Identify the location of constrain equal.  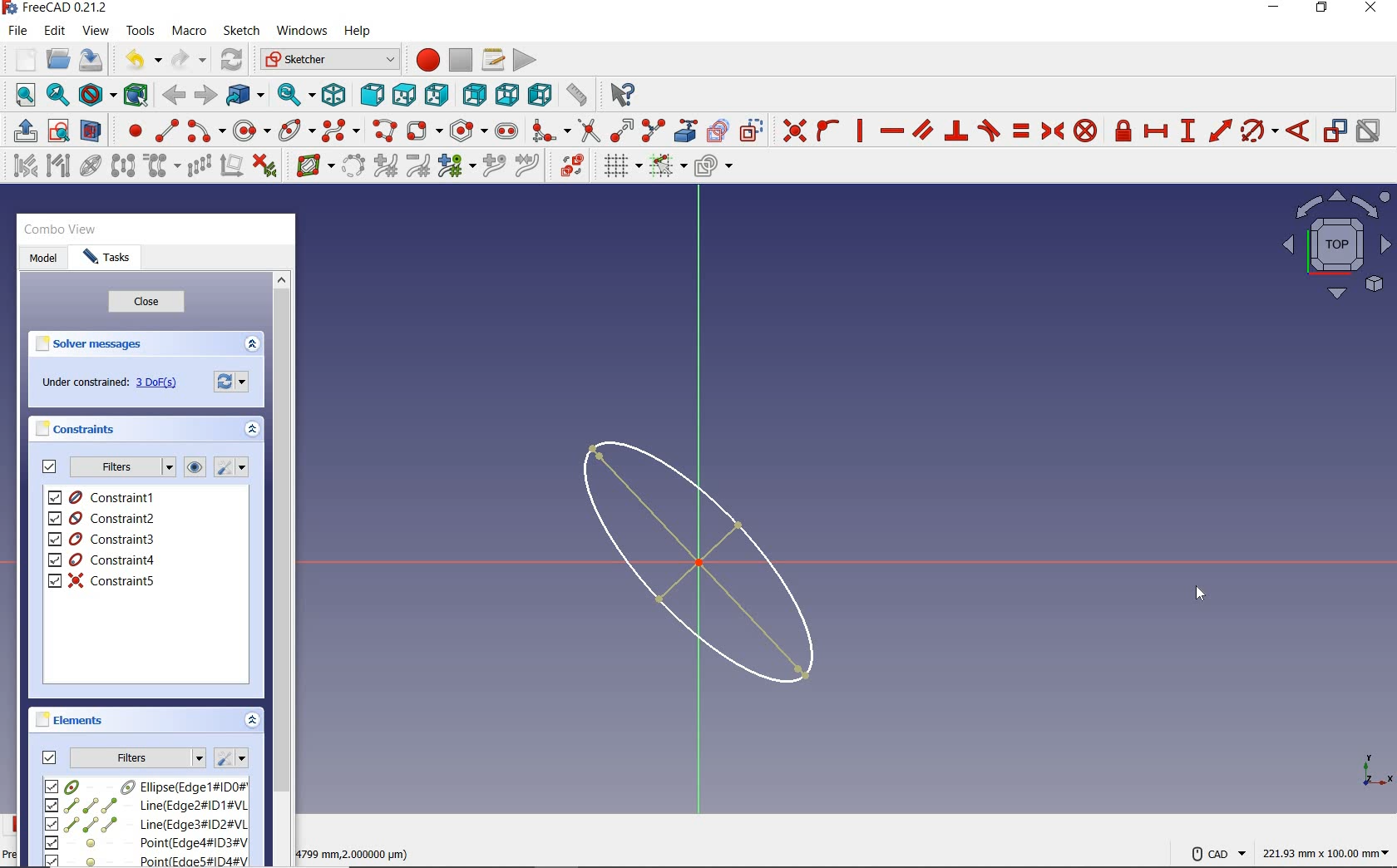
(1022, 131).